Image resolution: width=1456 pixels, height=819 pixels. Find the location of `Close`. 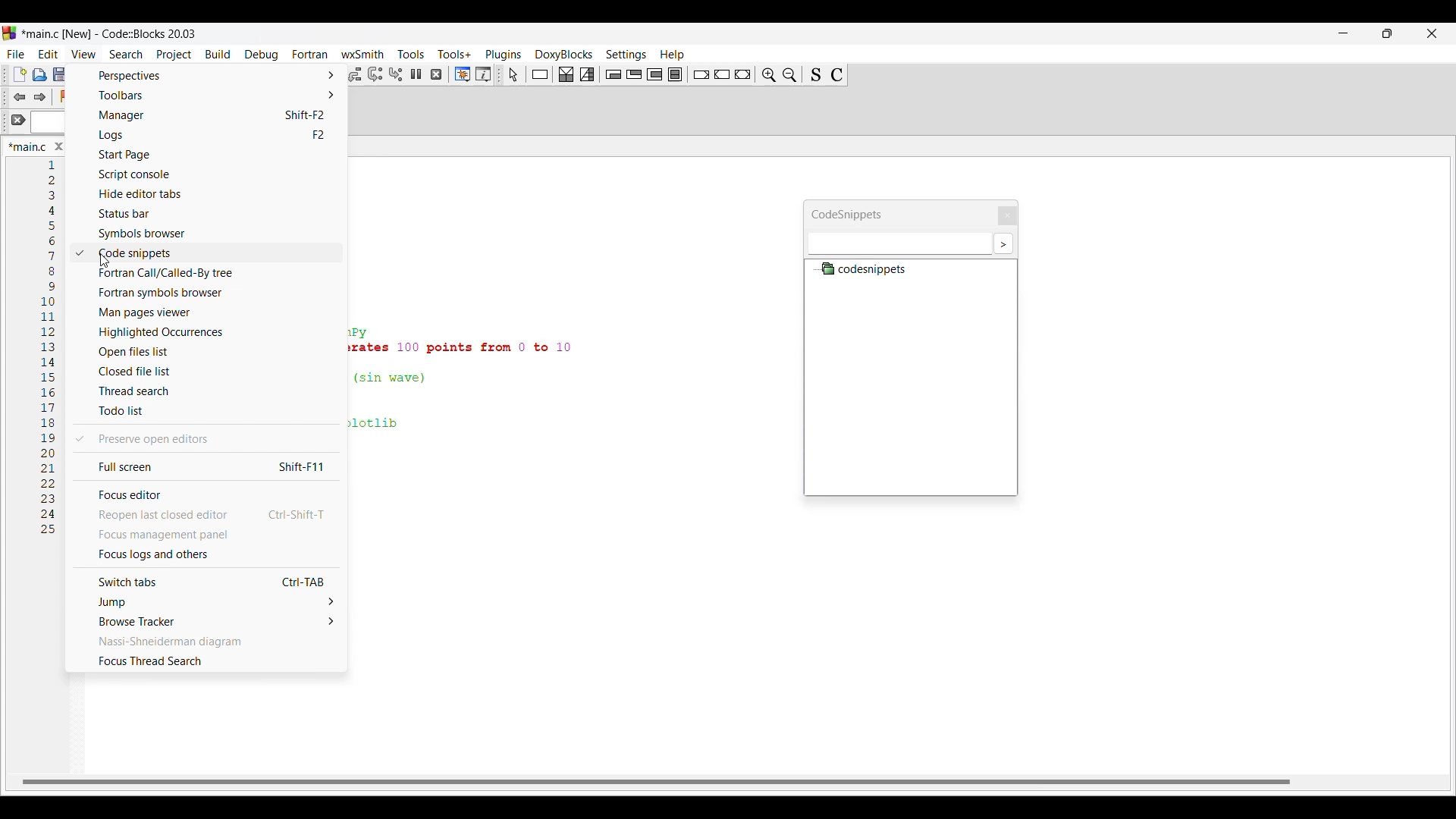

Close is located at coordinates (1004, 212).